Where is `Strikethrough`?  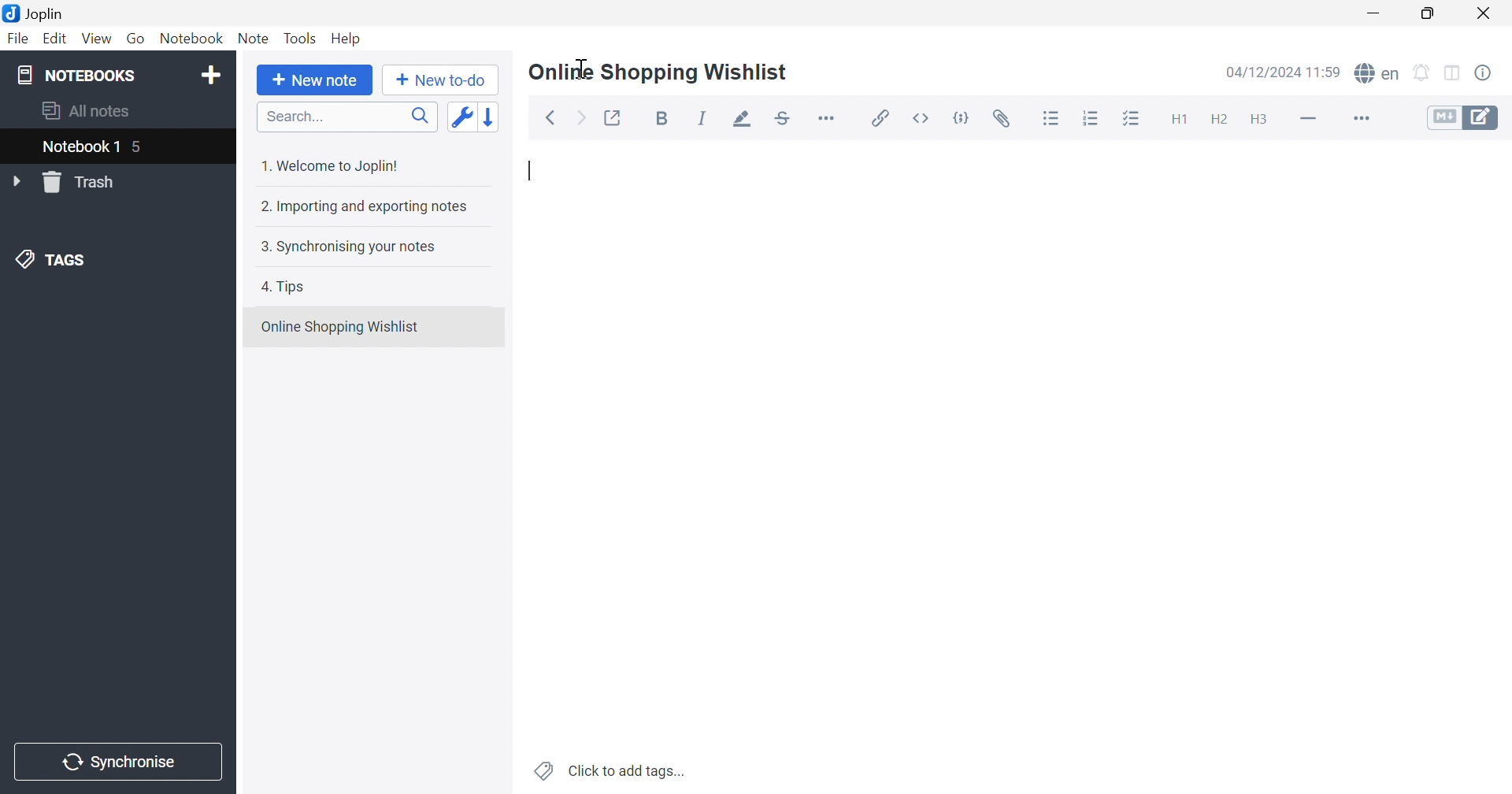
Strikethrough is located at coordinates (782, 118).